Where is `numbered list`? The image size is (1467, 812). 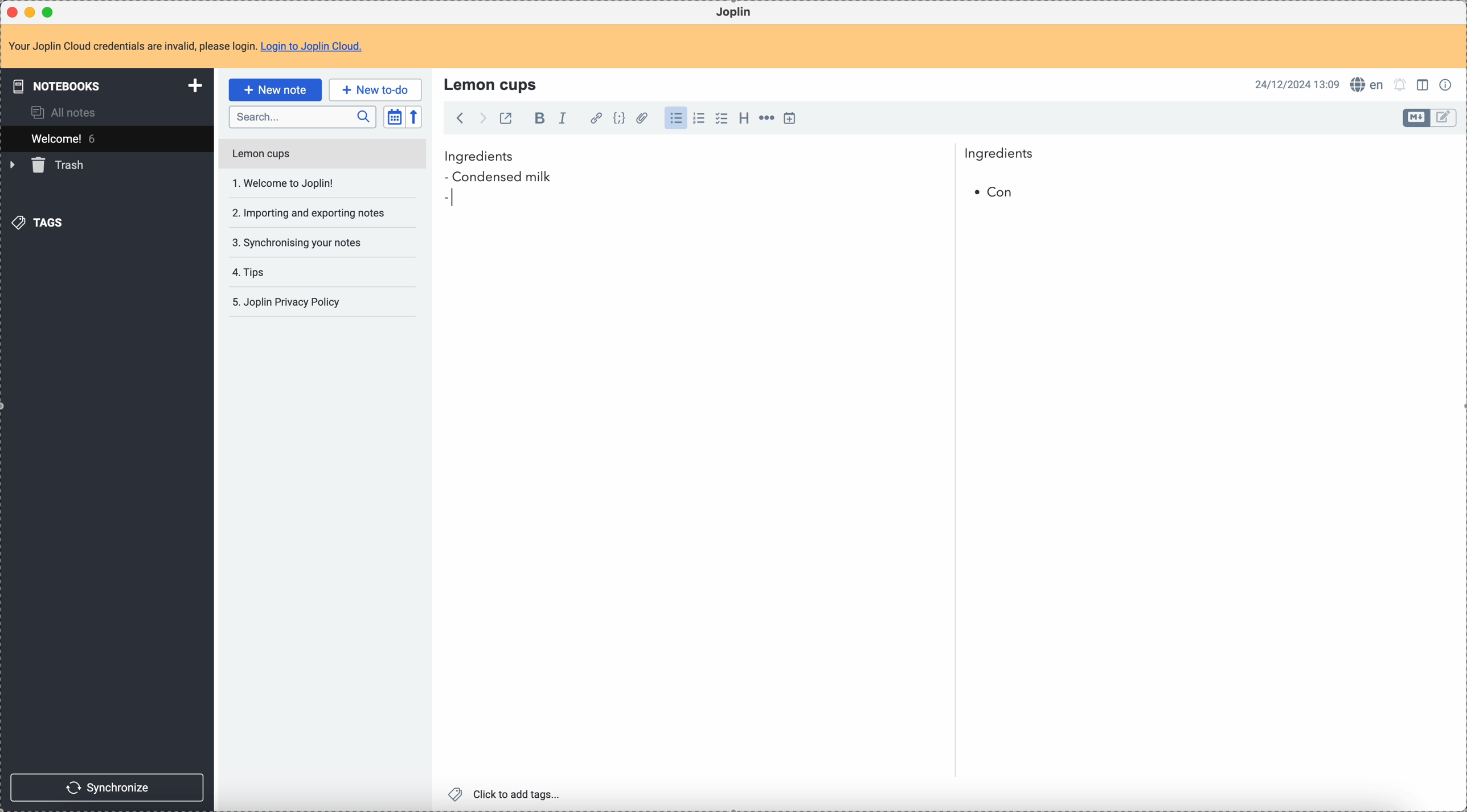
numbered list is located at coordinates (700, 118).